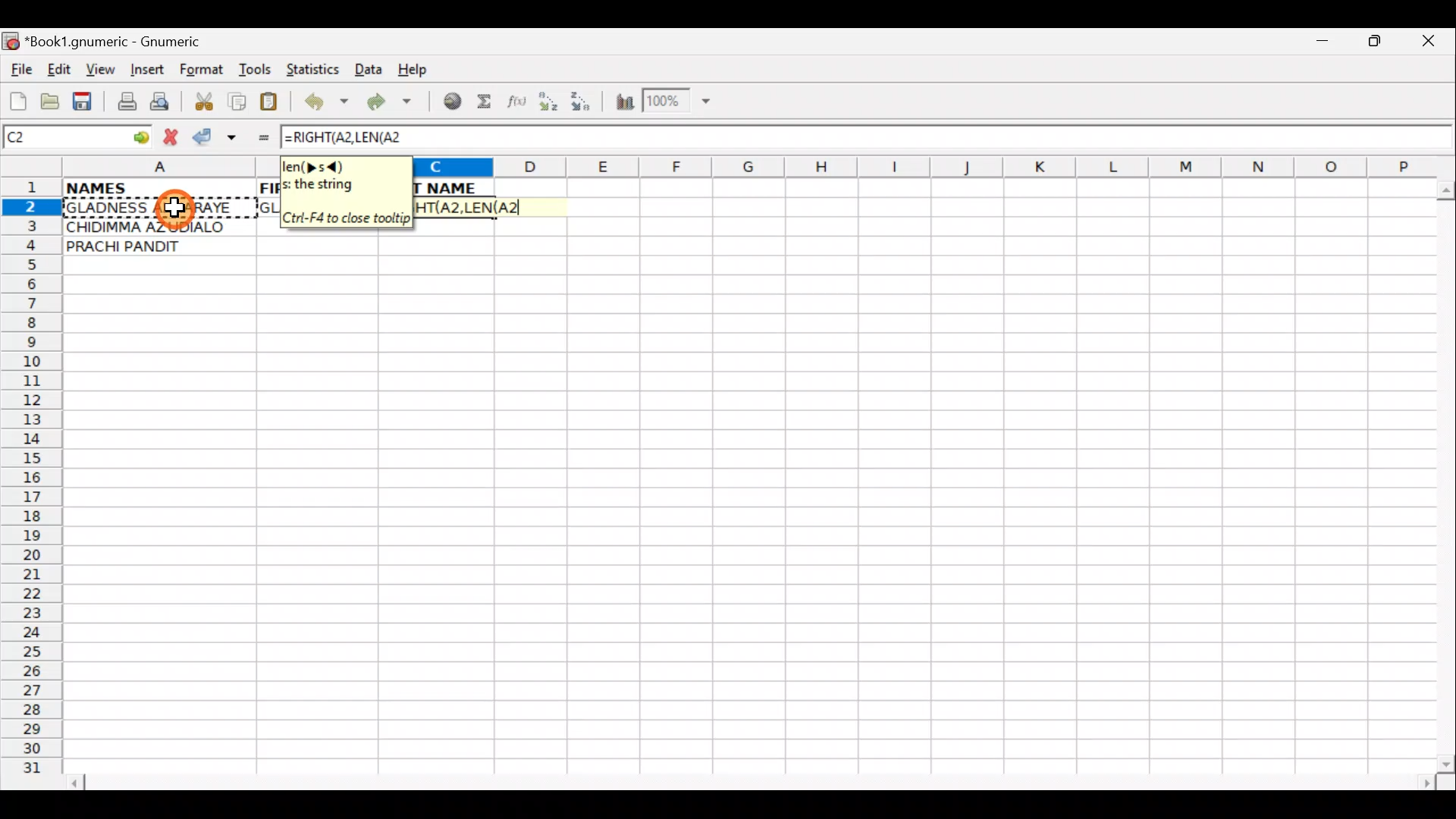 This screenshot has height=819, width=1456. What do you see at coordinates (32, 482) in the screenshot?
I see `Rows` at bounding box center [32, 482].